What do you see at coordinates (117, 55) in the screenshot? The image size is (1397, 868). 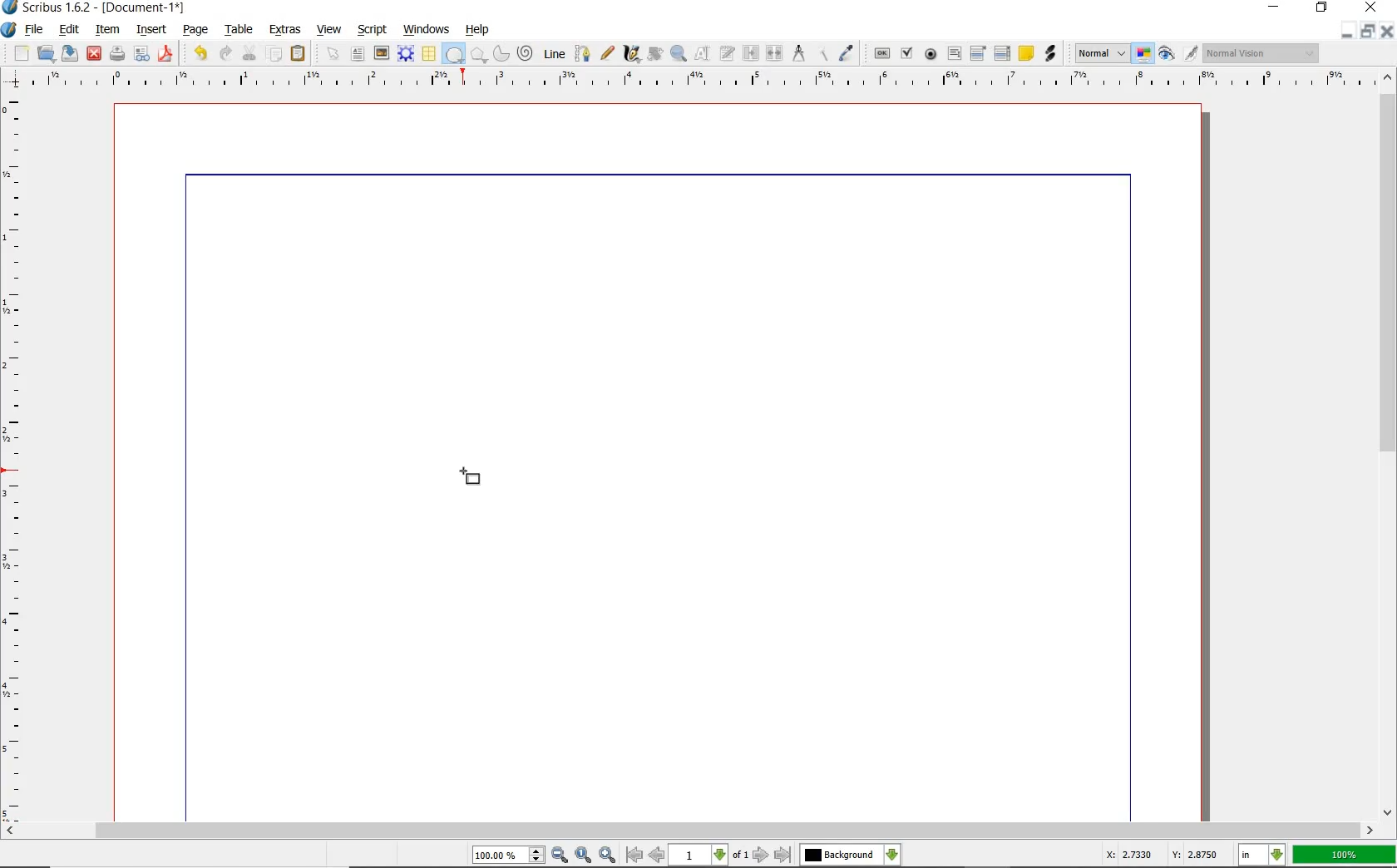 I see `PRINT` at bounding box center [117, 55].